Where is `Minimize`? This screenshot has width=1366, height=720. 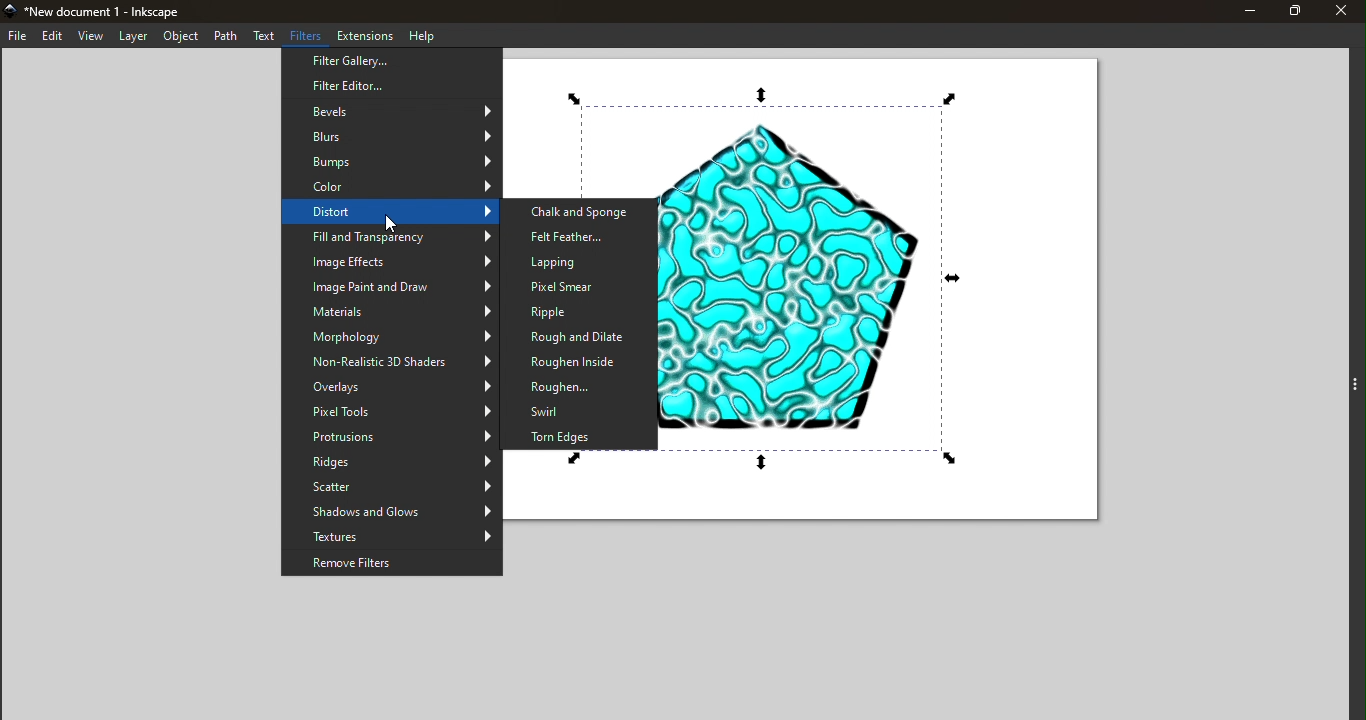 Minimize is located at coordinates (1244, 11).